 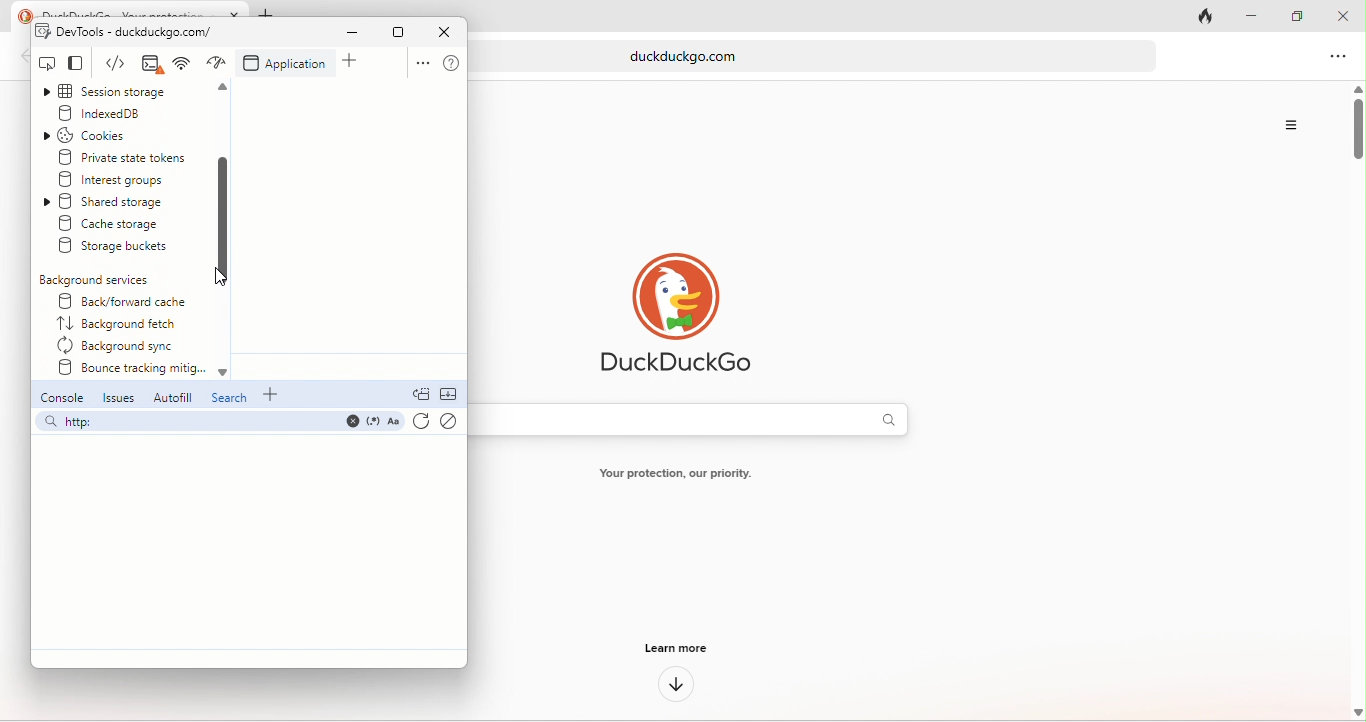 What do you see at coordinates (105, 135) in the screenshot?
I see `cookies` at bounding box center [105, 135].